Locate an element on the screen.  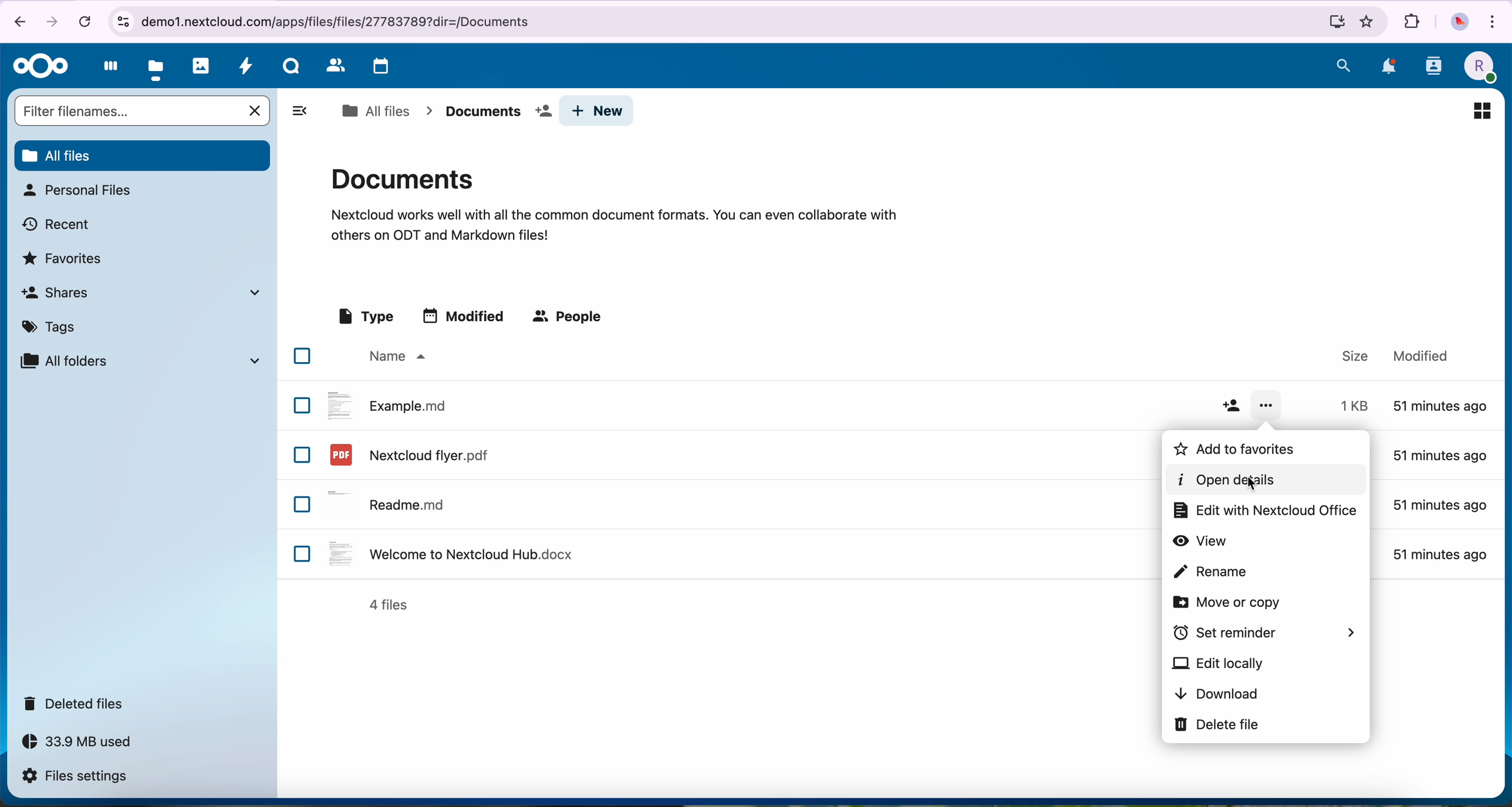
modified is located at coordinates (466, 315).